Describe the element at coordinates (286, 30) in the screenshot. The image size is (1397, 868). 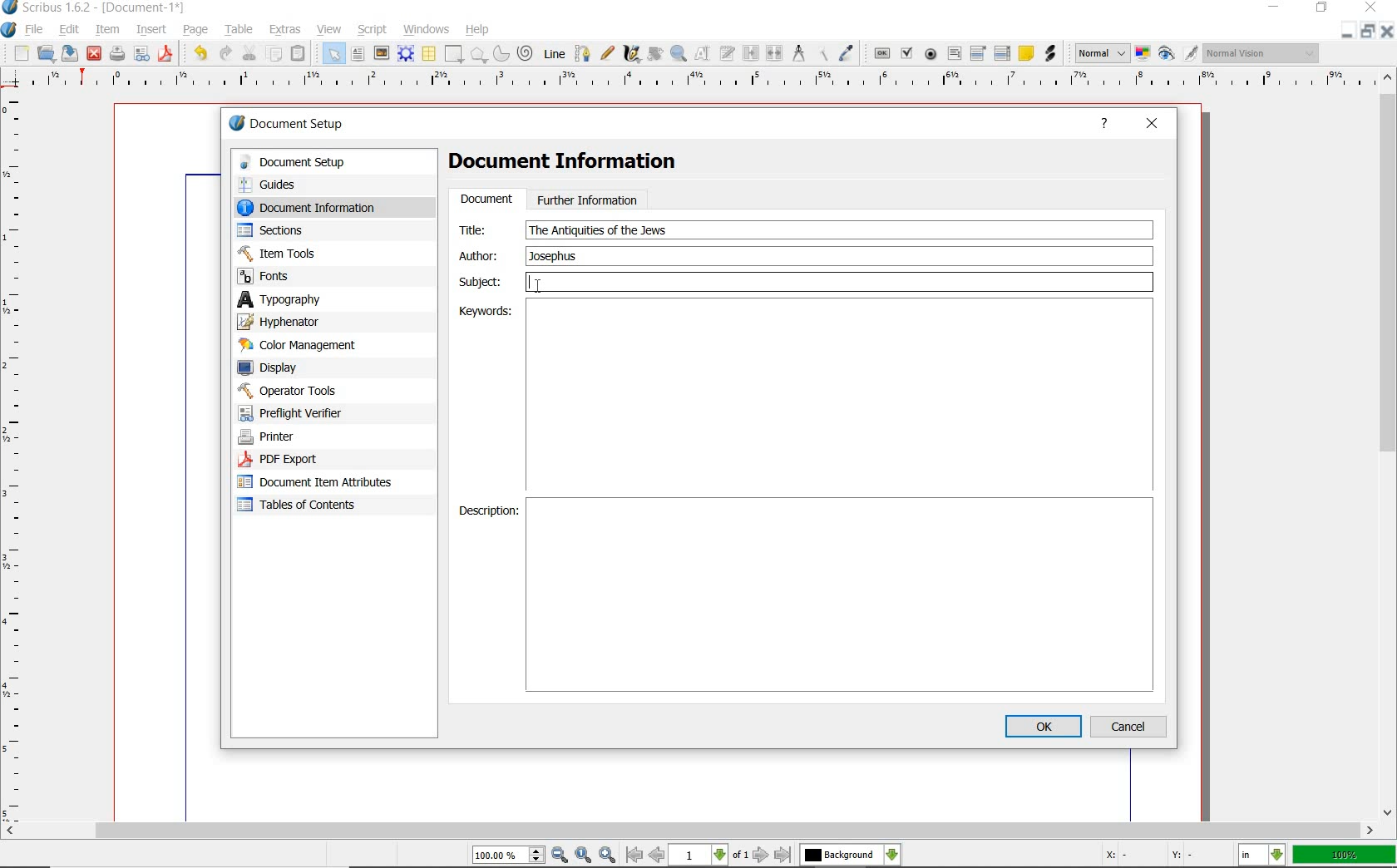
I see `extras` at that location.